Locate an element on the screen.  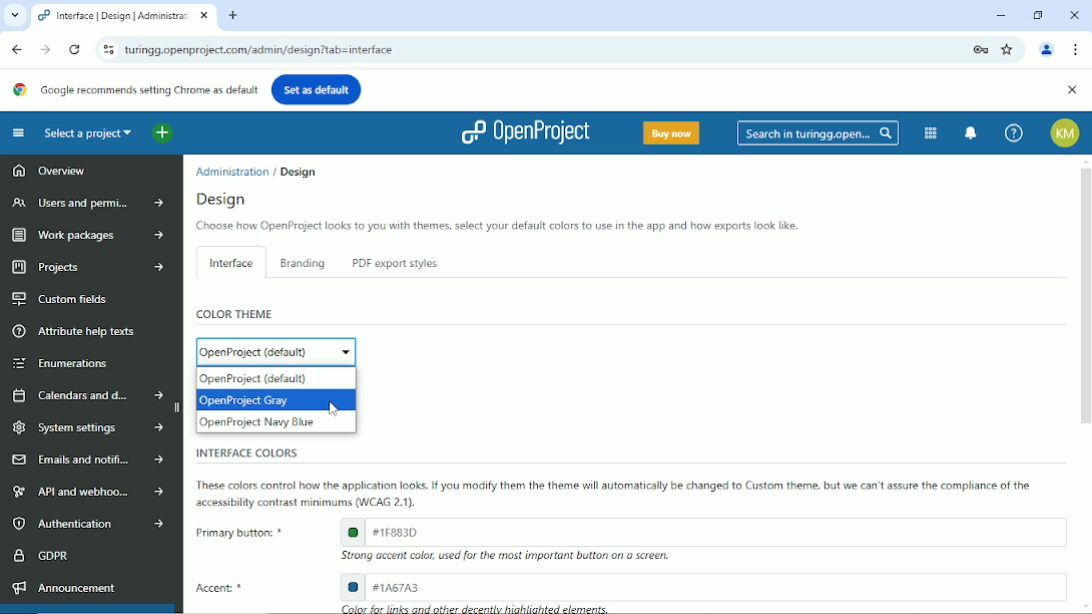
To notification center is located at coordinates (972, 132).